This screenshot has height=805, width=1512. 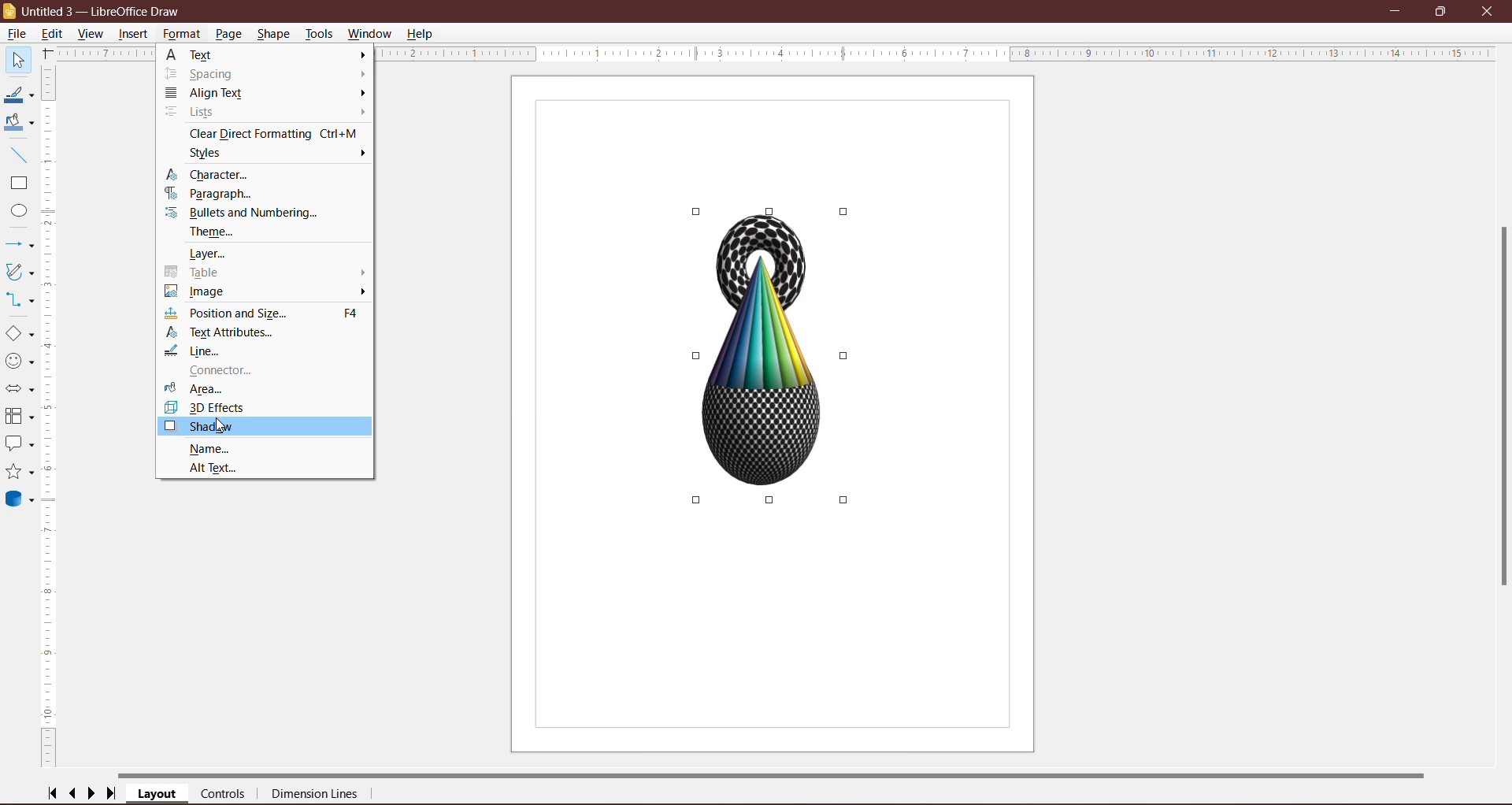 What do you see at coordinates (268, 313) in the screenshot?
I see `Position and Size` at bounding box center [268, 313].